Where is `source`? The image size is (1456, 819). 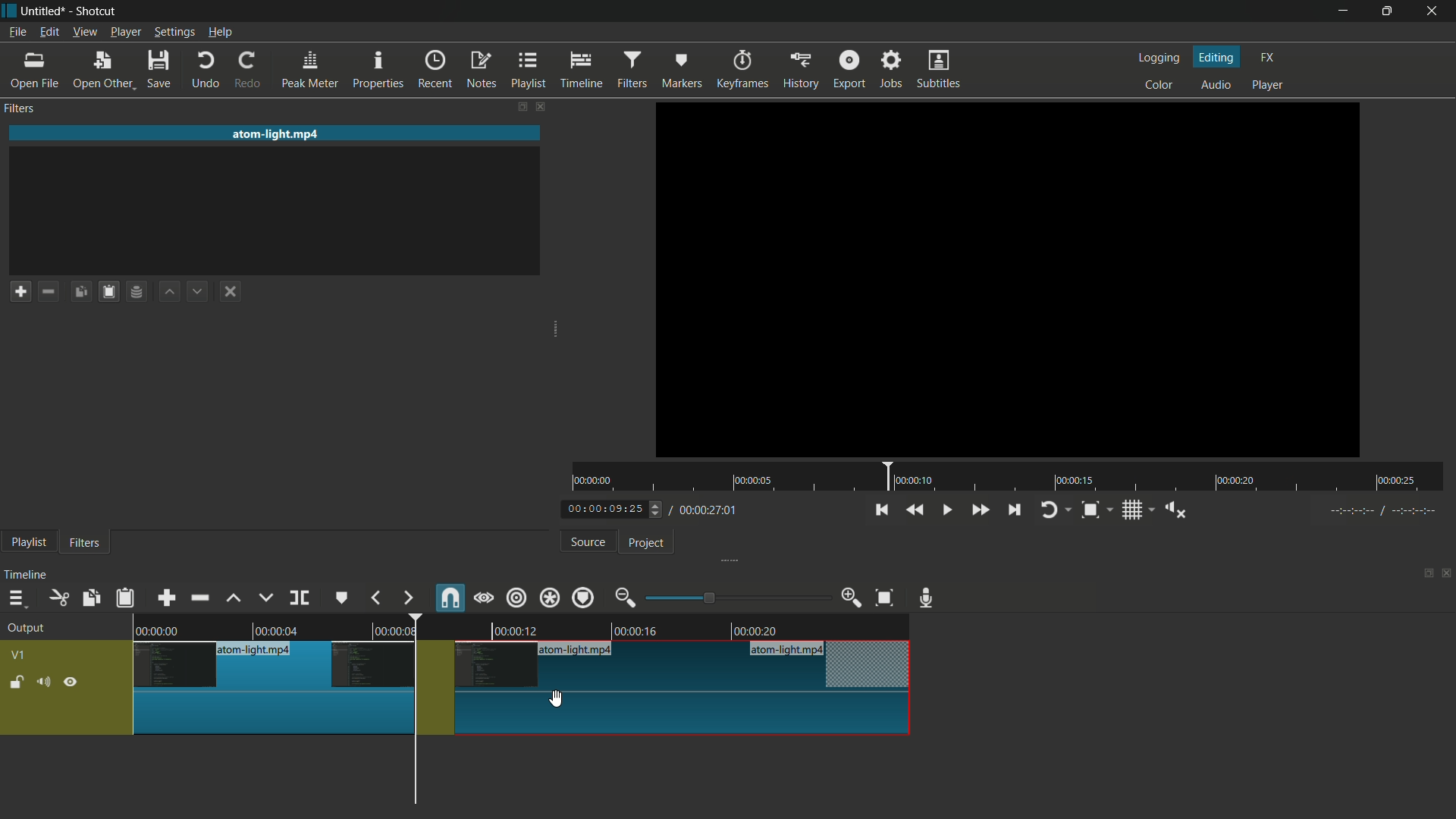
source is located at coordinates (588, 542).